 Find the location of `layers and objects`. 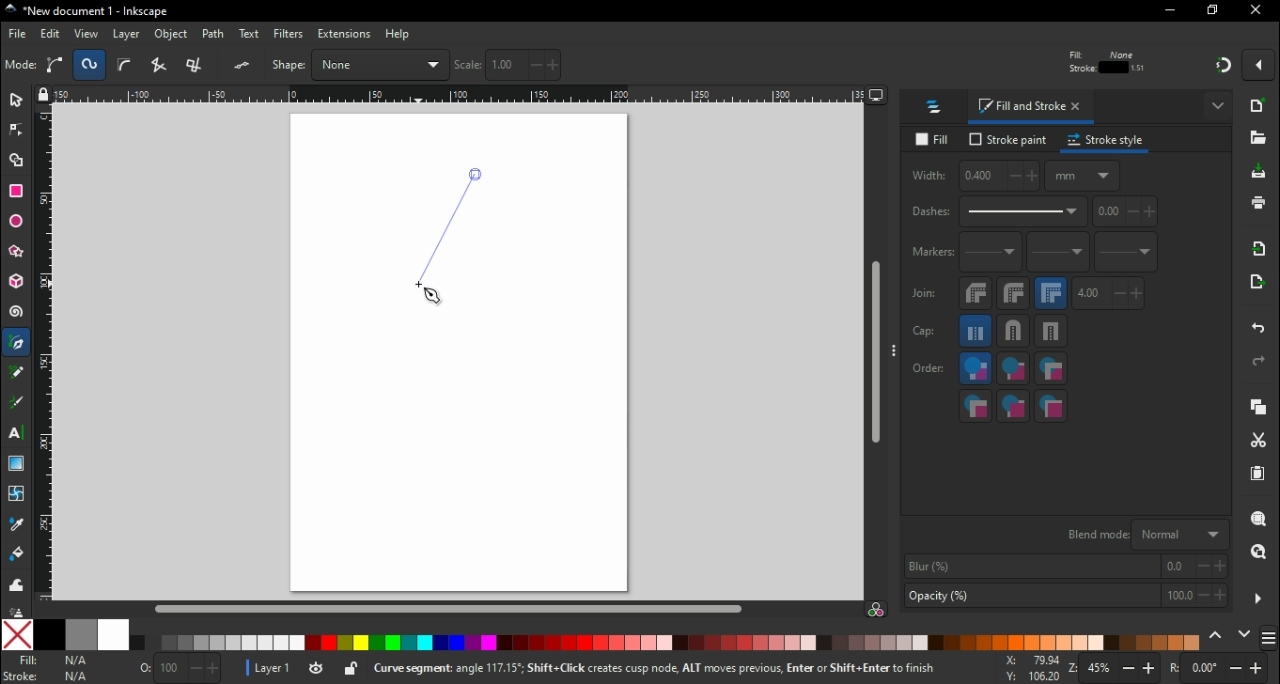

layers and objects is located at coordinates (937, 109).